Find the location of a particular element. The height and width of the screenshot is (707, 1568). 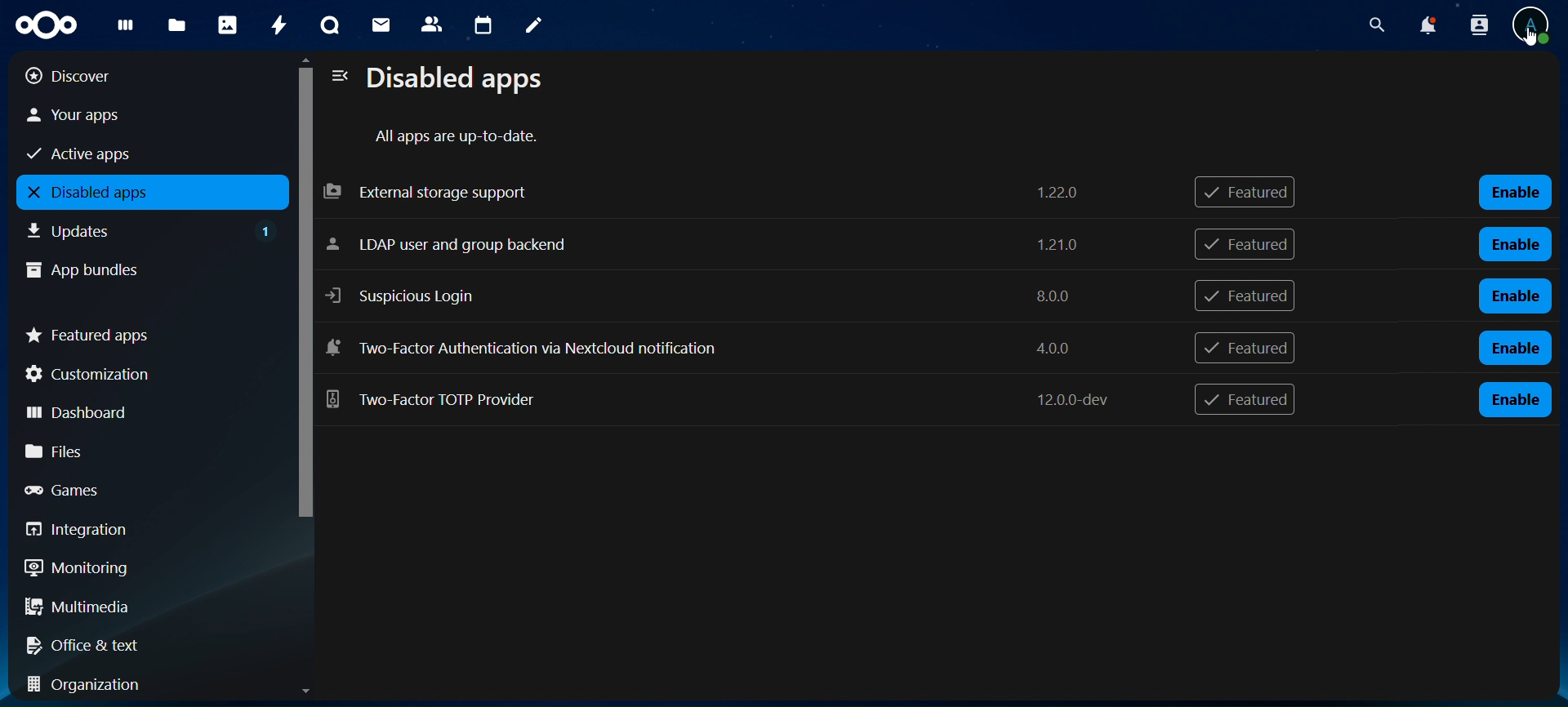

active apps is located at coordinates (131, 152).